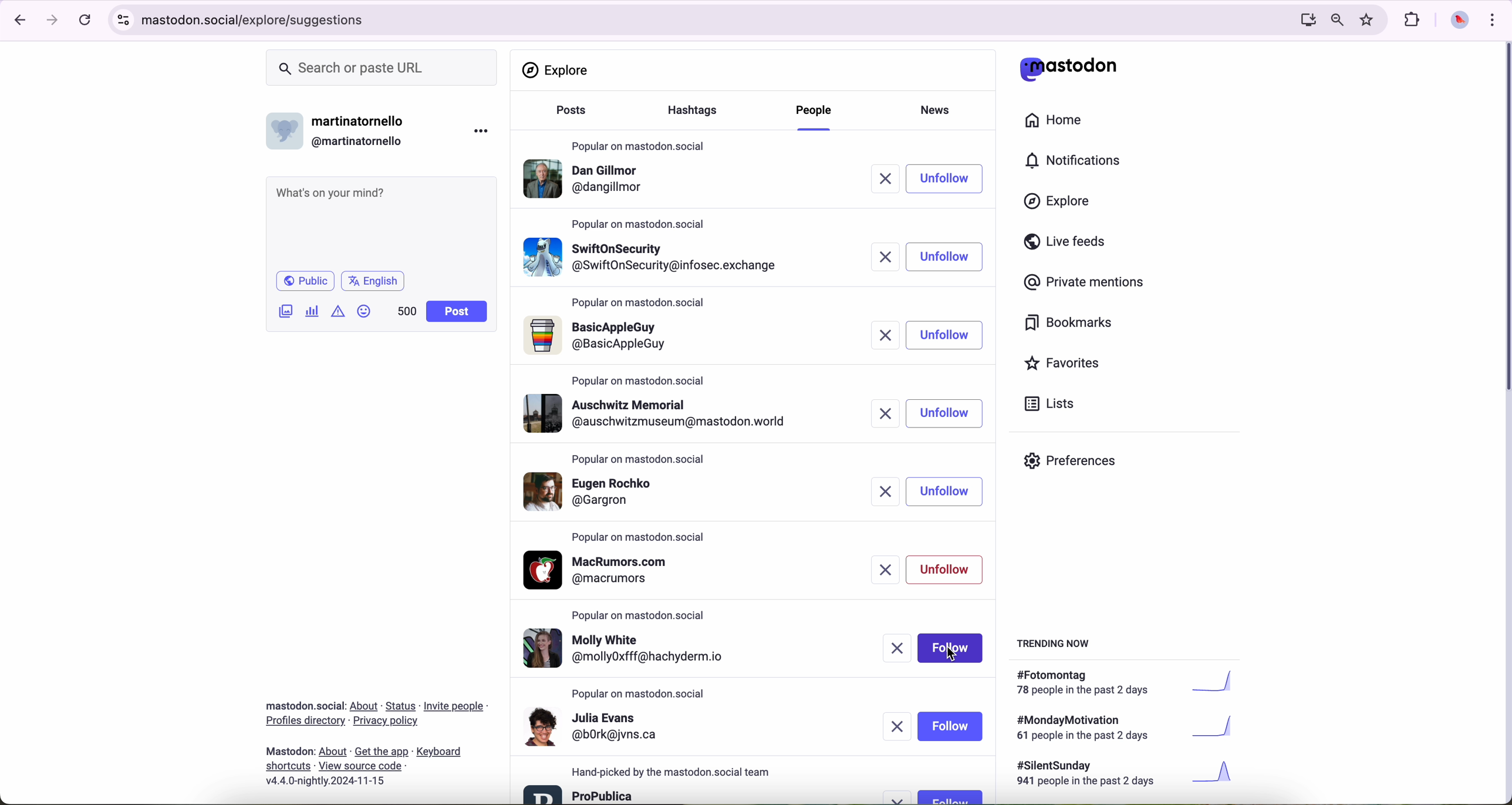  Describe the element at coordinates (899, 726) in the screenshot. I see `remove` at that location.